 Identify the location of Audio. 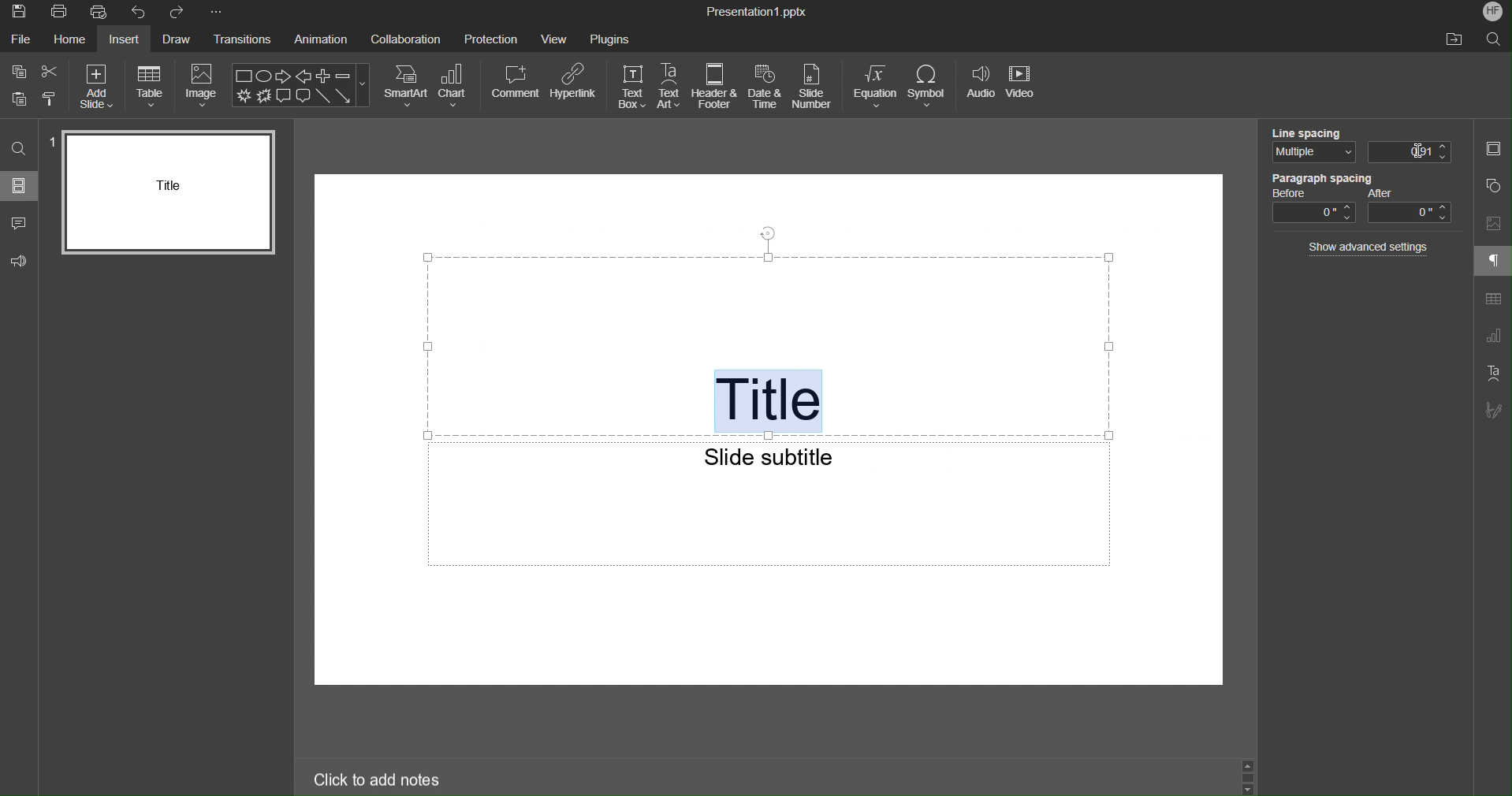
(981, 88).